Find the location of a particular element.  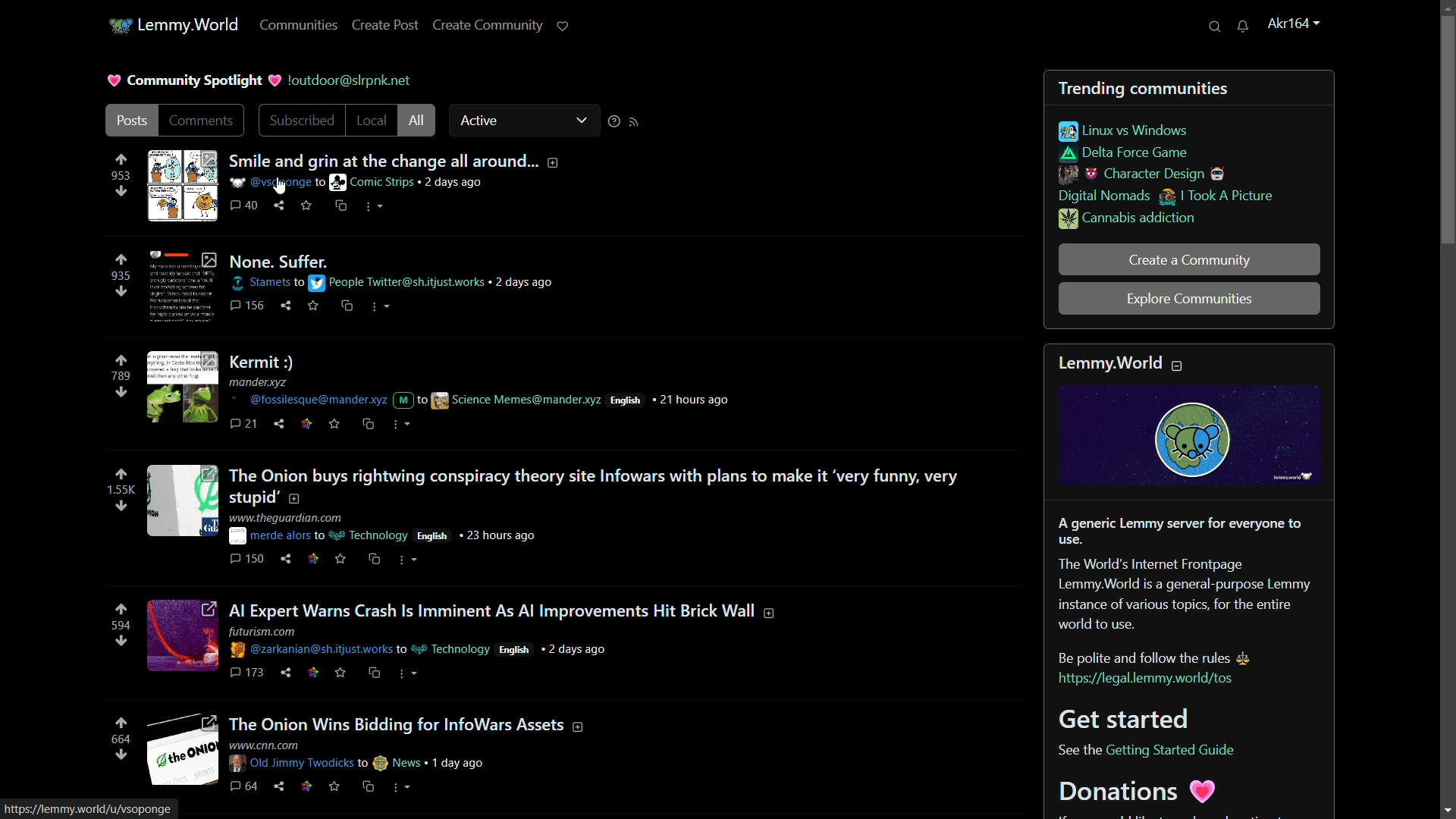

comments is located at coordinates (246, 306).